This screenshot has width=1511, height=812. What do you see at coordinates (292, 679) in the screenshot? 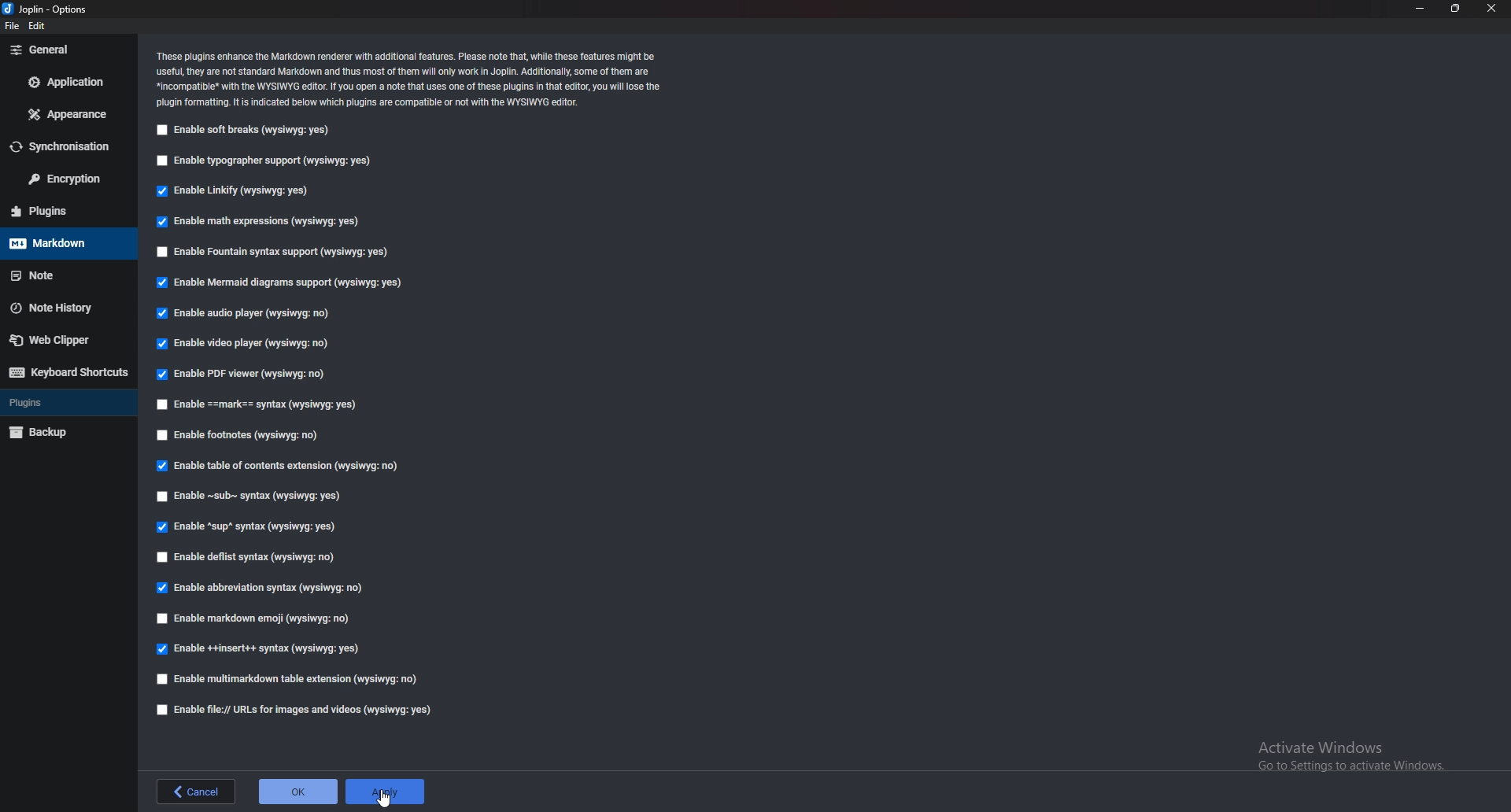
I see `Enable multi markdown table` at bounding box center [292, 679].